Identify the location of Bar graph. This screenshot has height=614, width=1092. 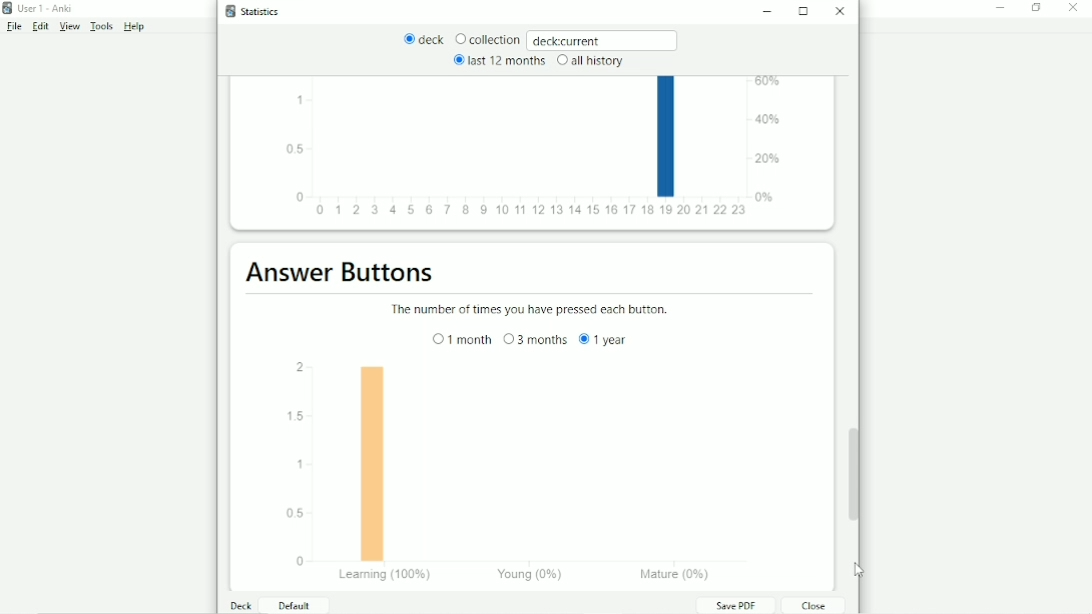
(532, 472).